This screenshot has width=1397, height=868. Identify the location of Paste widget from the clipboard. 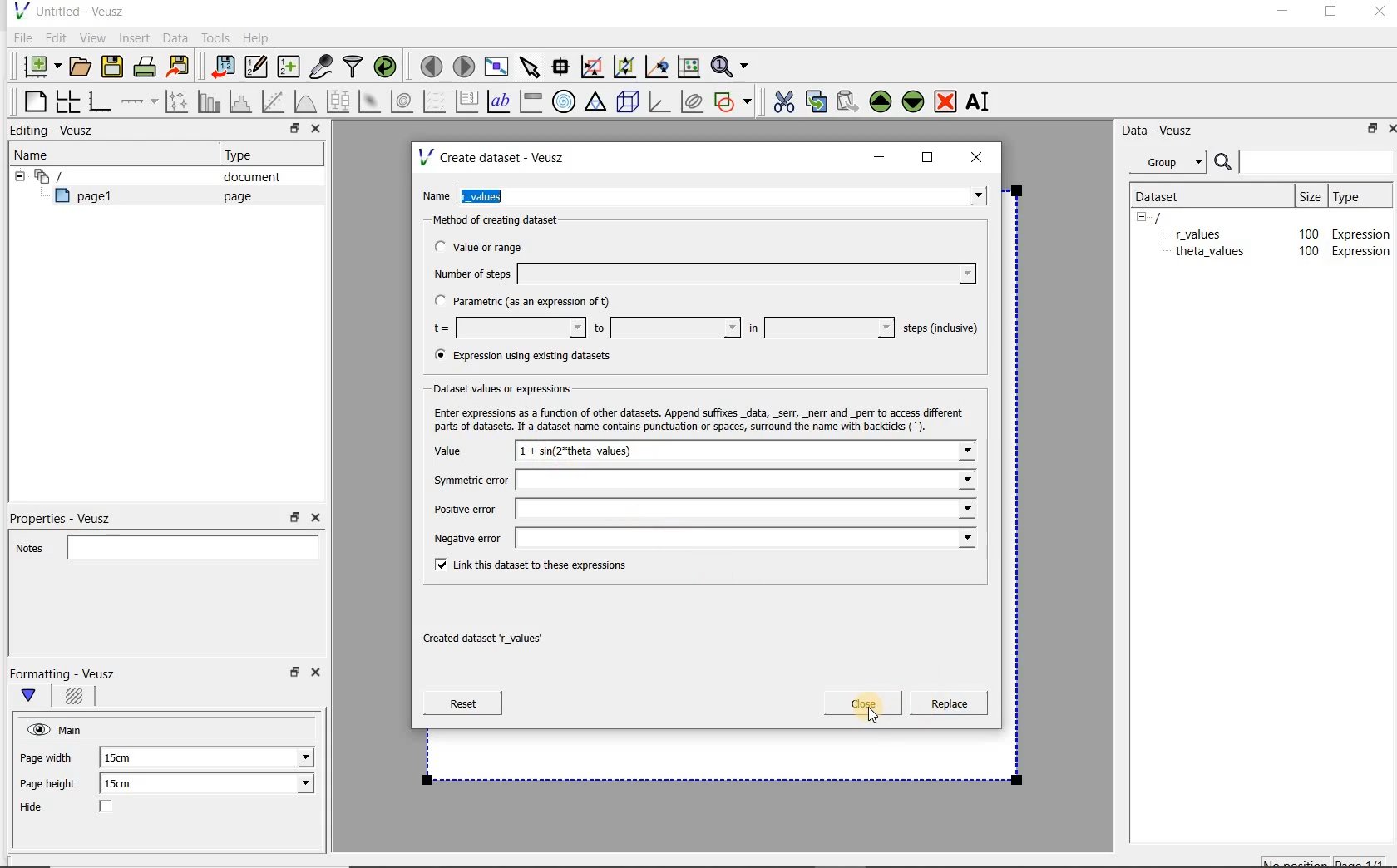
(850, 101).